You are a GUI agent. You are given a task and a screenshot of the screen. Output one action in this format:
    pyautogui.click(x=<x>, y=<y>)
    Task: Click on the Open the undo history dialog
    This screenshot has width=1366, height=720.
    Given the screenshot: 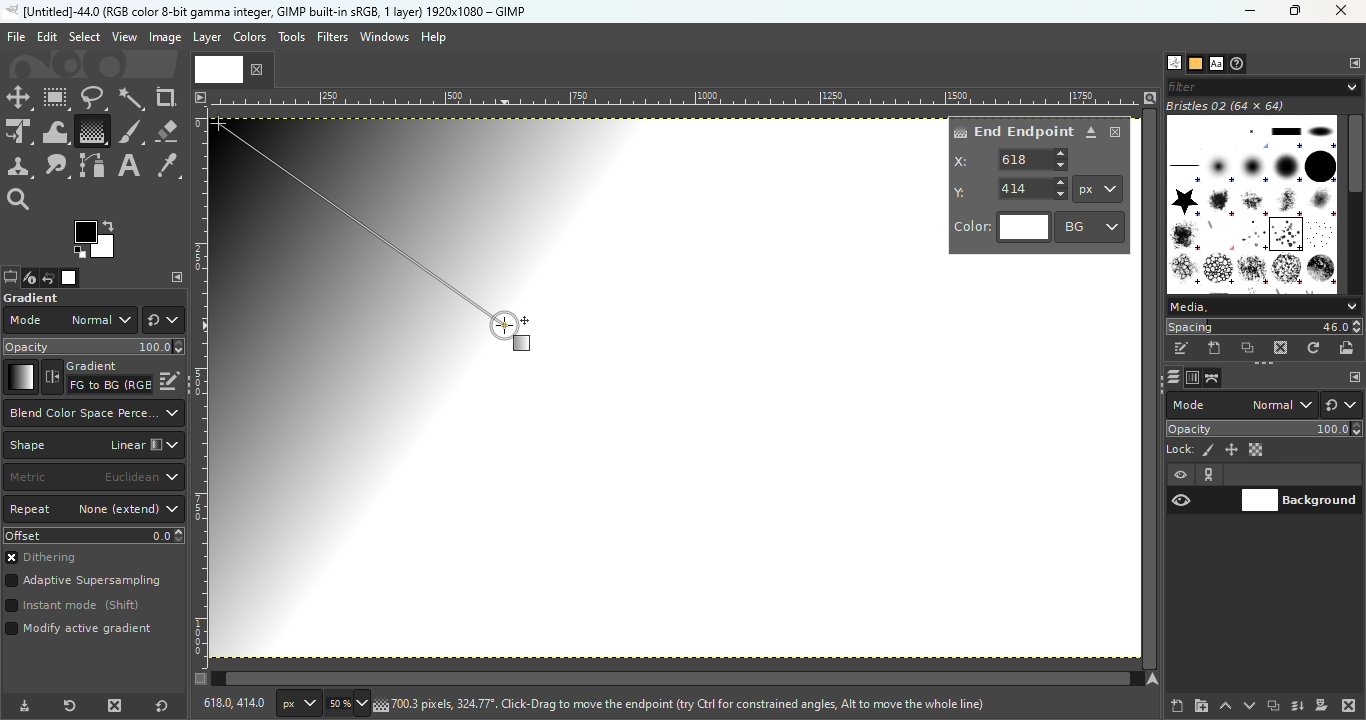 What is the action you would take?
    pyautogui.click(x=49, y=277)
    